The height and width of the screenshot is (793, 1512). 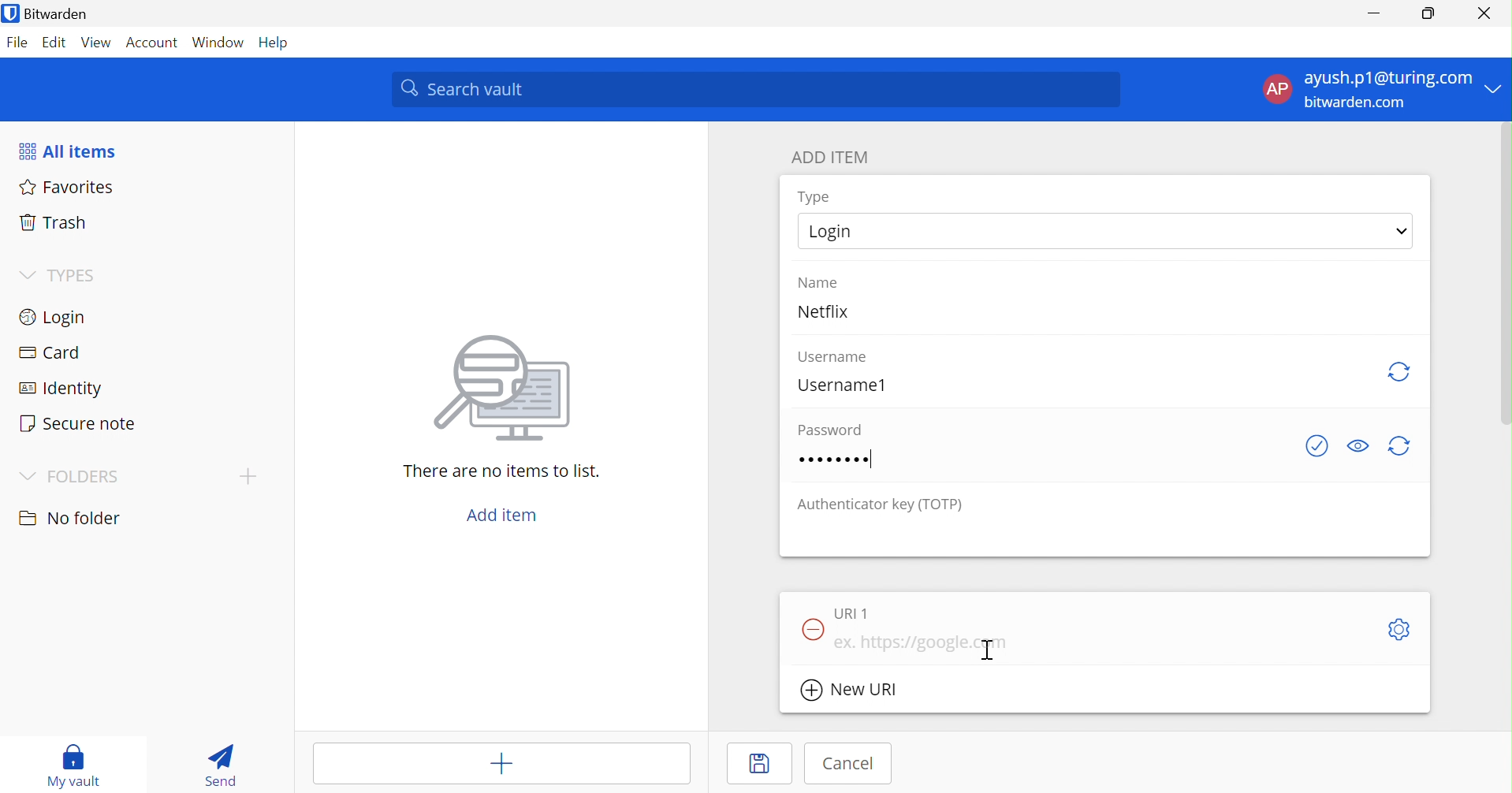 What do you see at coordinates (1104, 230) in the screenshot?
I see `Login` at bounding box center [1104, 230].